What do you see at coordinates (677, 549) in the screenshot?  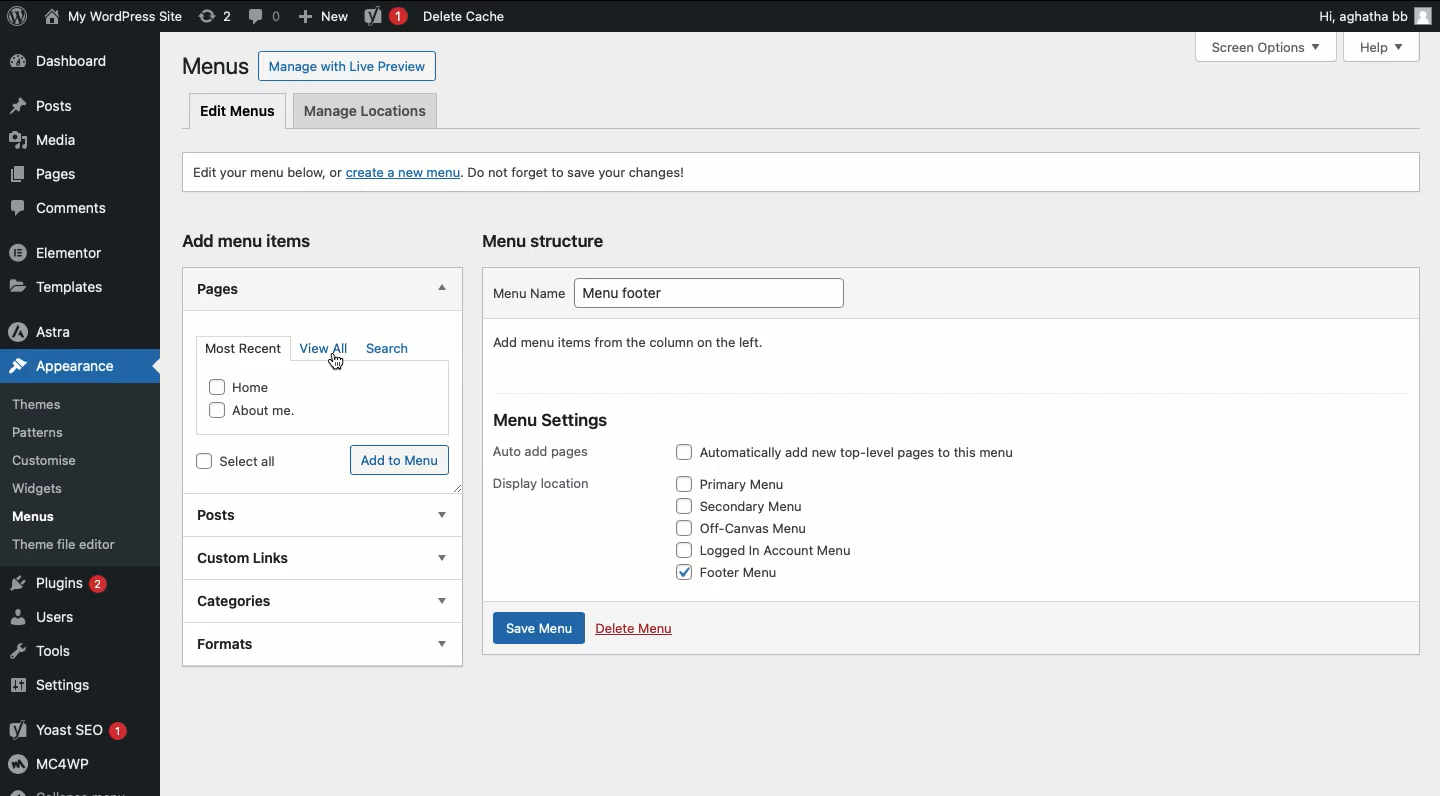 I see `Check box` at bounding box center [677, 549].